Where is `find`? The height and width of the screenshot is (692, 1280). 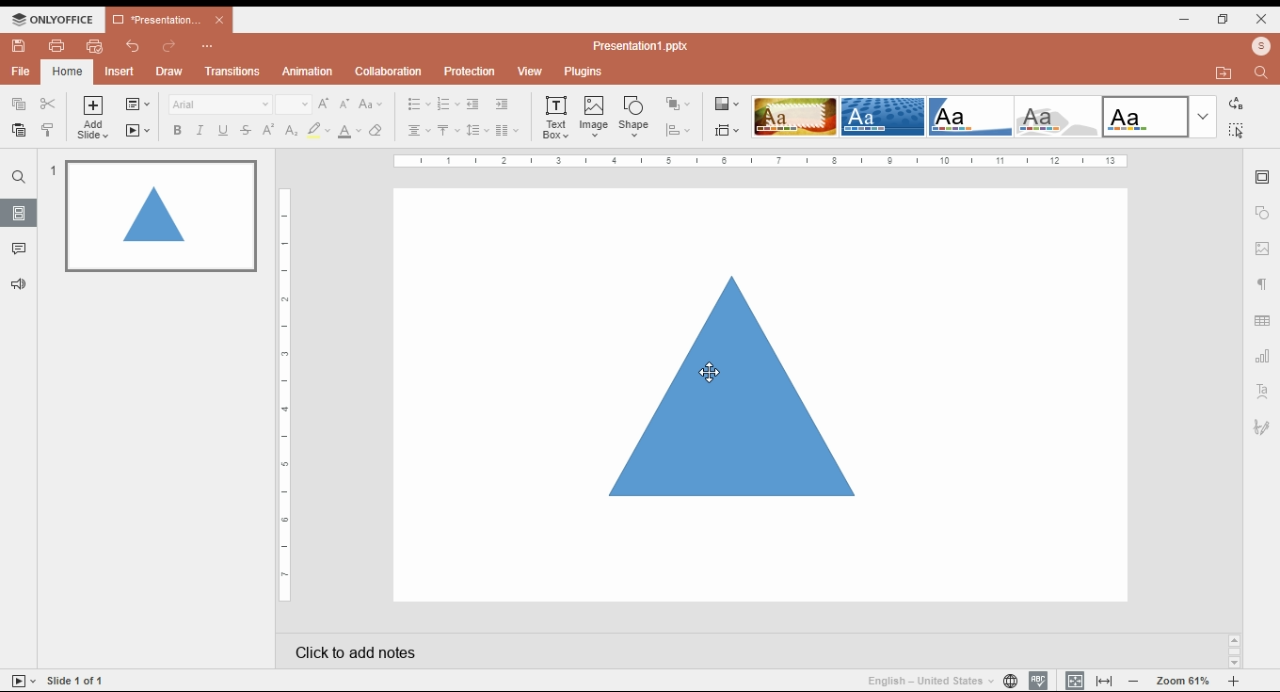
find is located at coordinates (1236, 131).